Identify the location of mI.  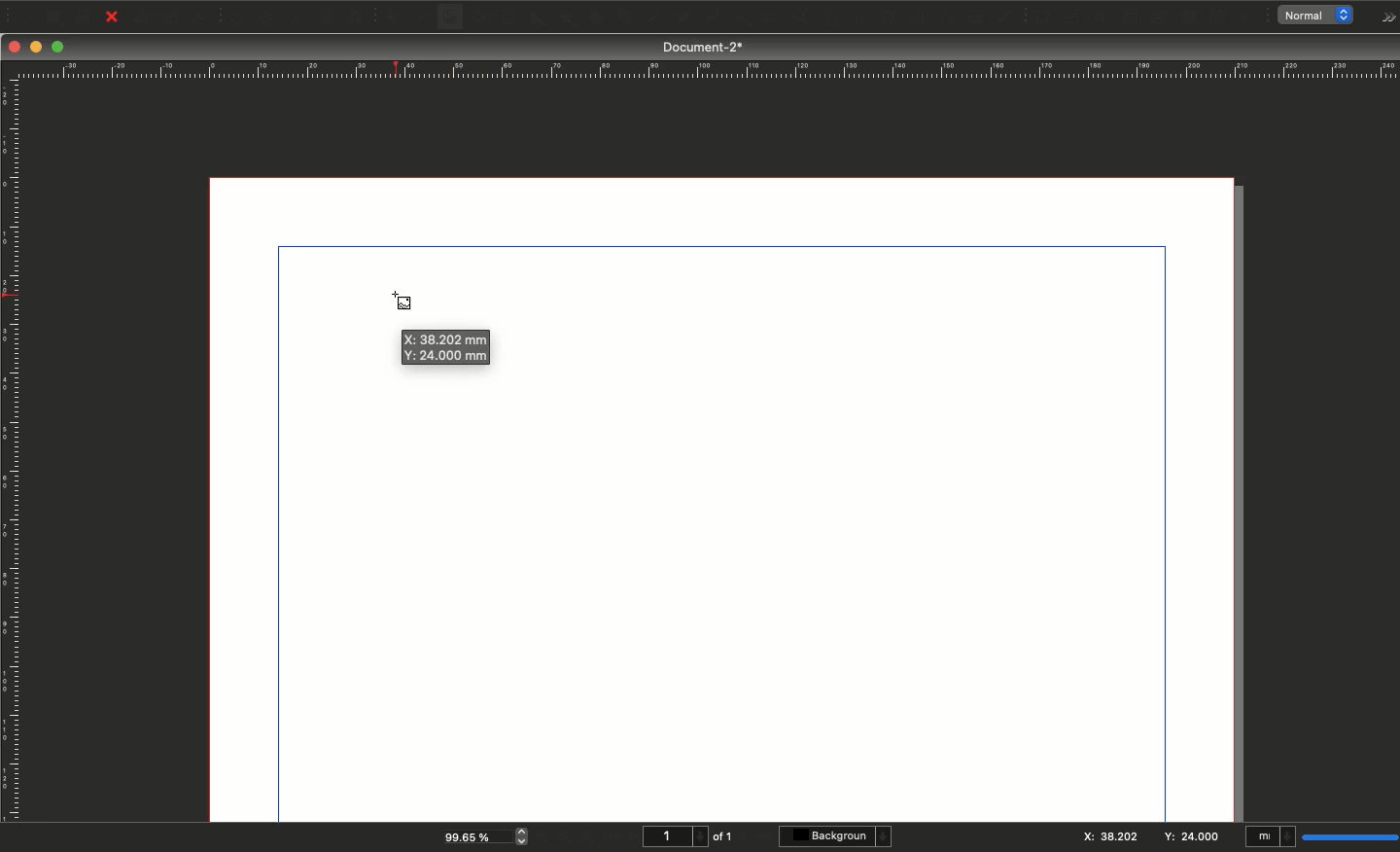
(1271, 838).